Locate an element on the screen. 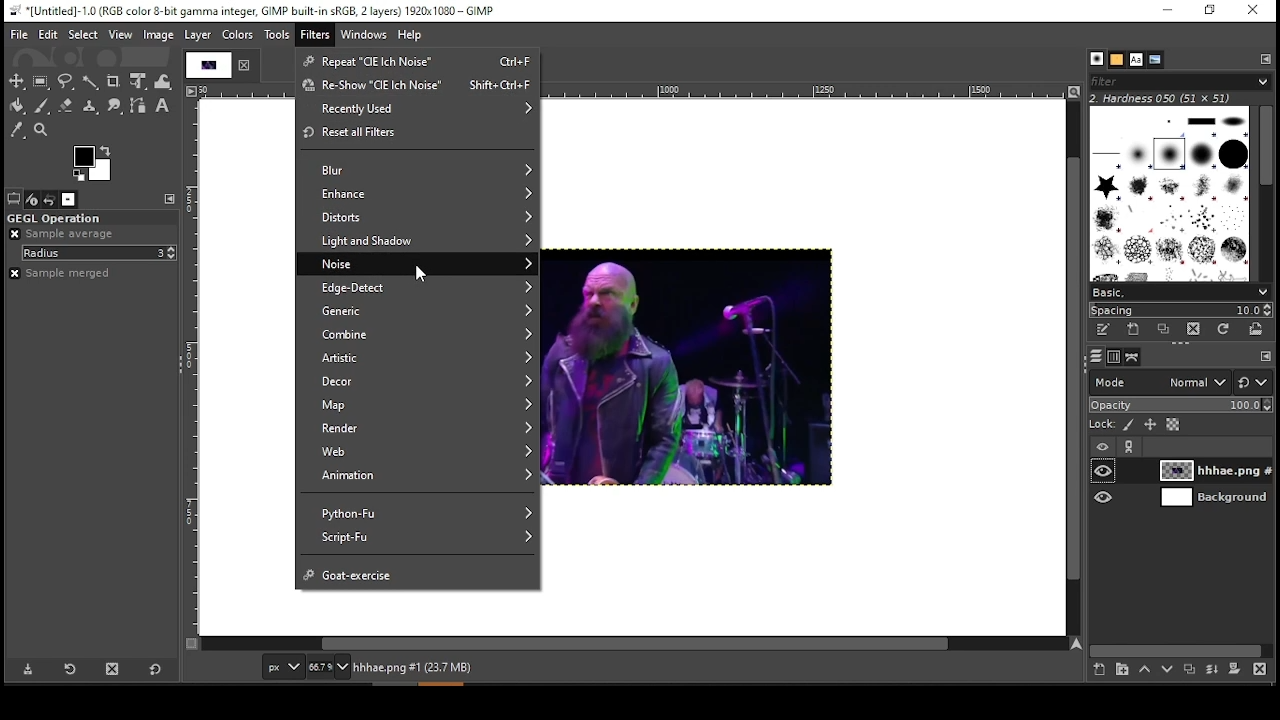  lock size and positioning is located at coordinates (1151, 425).